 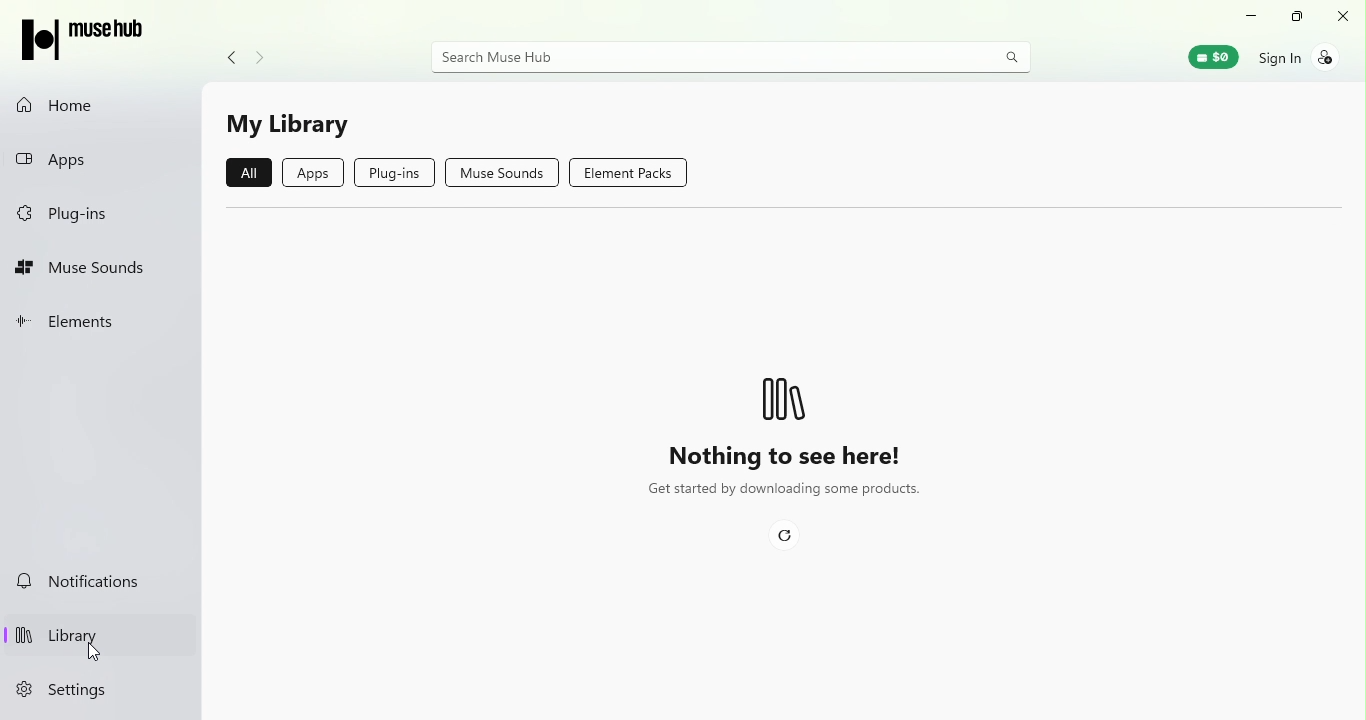 What do you see at coordinates (632, 174) in the screenshot?
I see `Element packs` at bounding box center [632, 174].